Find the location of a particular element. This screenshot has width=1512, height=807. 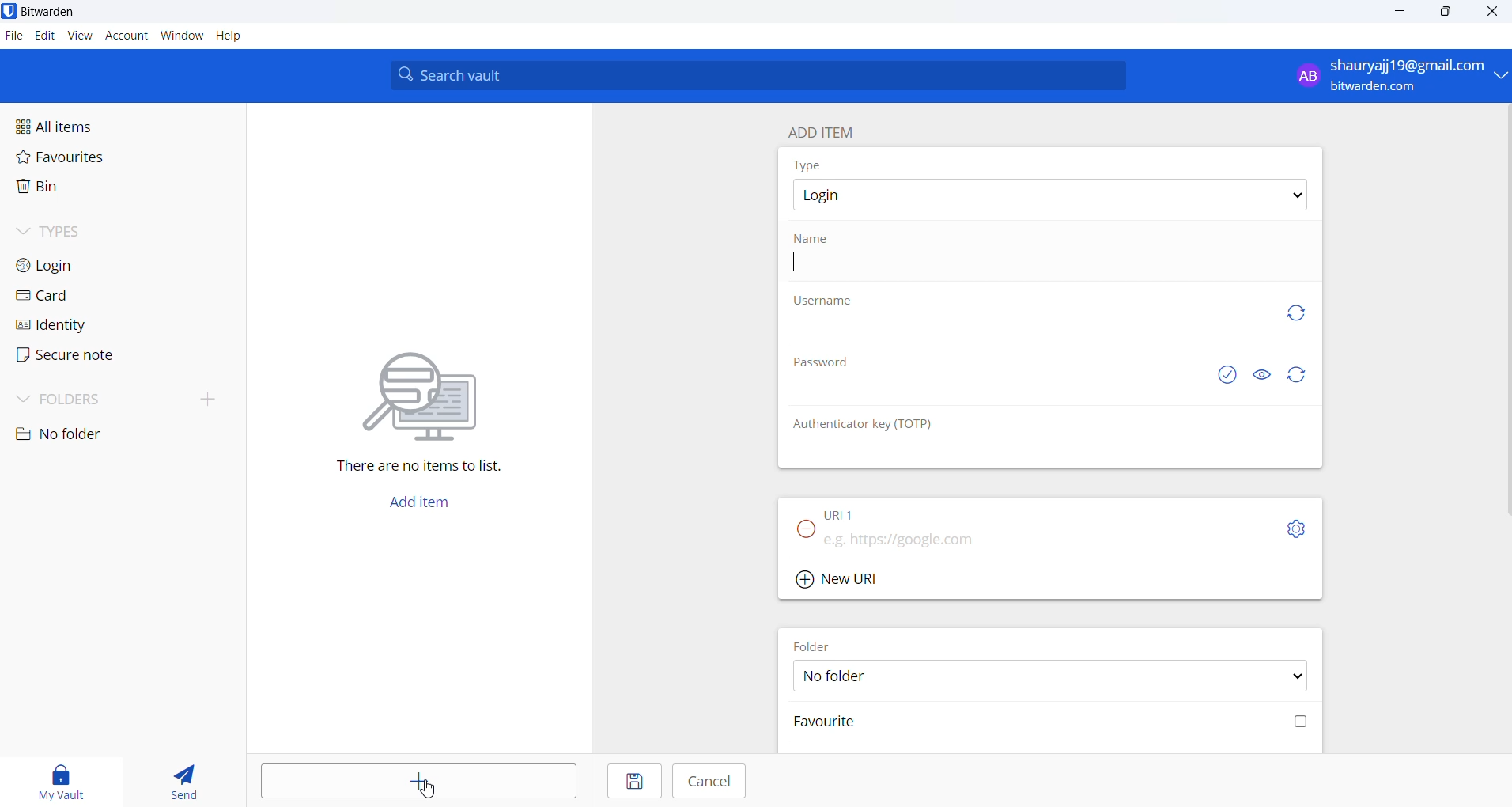

login is located at coordinates (71, 264).